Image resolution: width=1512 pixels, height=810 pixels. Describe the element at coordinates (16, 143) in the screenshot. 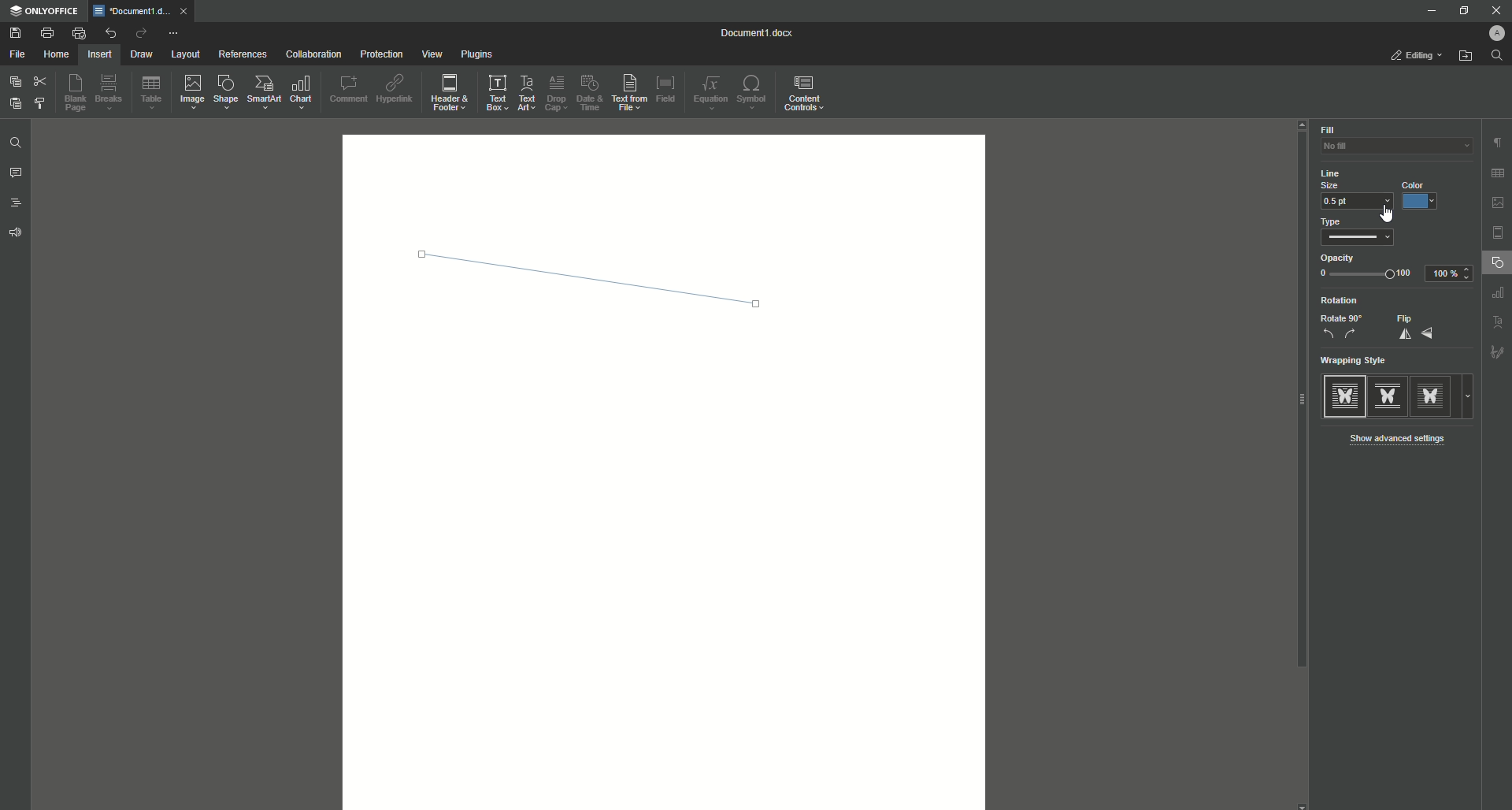

I see `Find` at that location.